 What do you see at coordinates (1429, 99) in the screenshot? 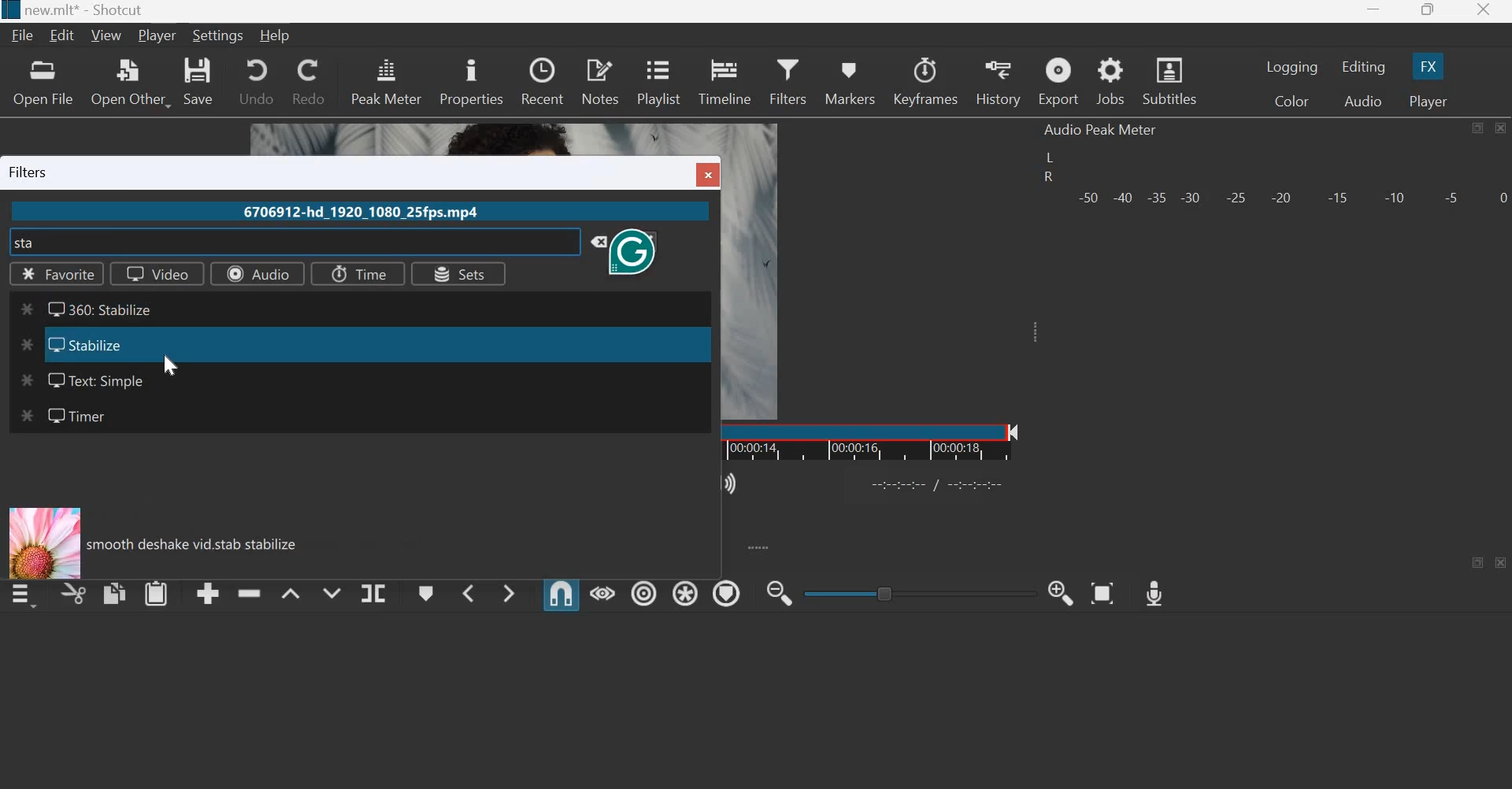
I see `Player` at bounding box center [1429, 99].